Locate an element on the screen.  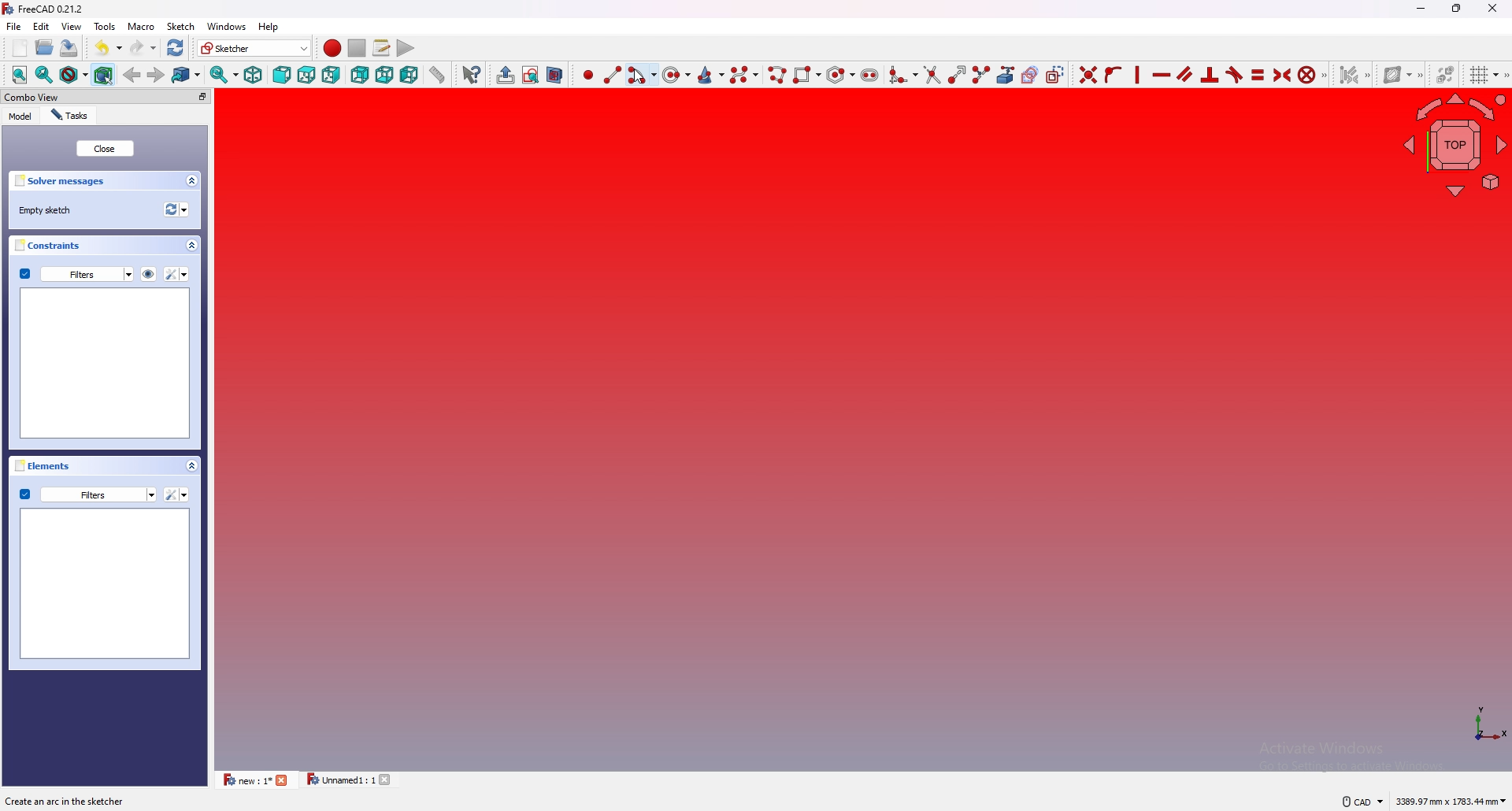
top is located at coordinates (306, 75).